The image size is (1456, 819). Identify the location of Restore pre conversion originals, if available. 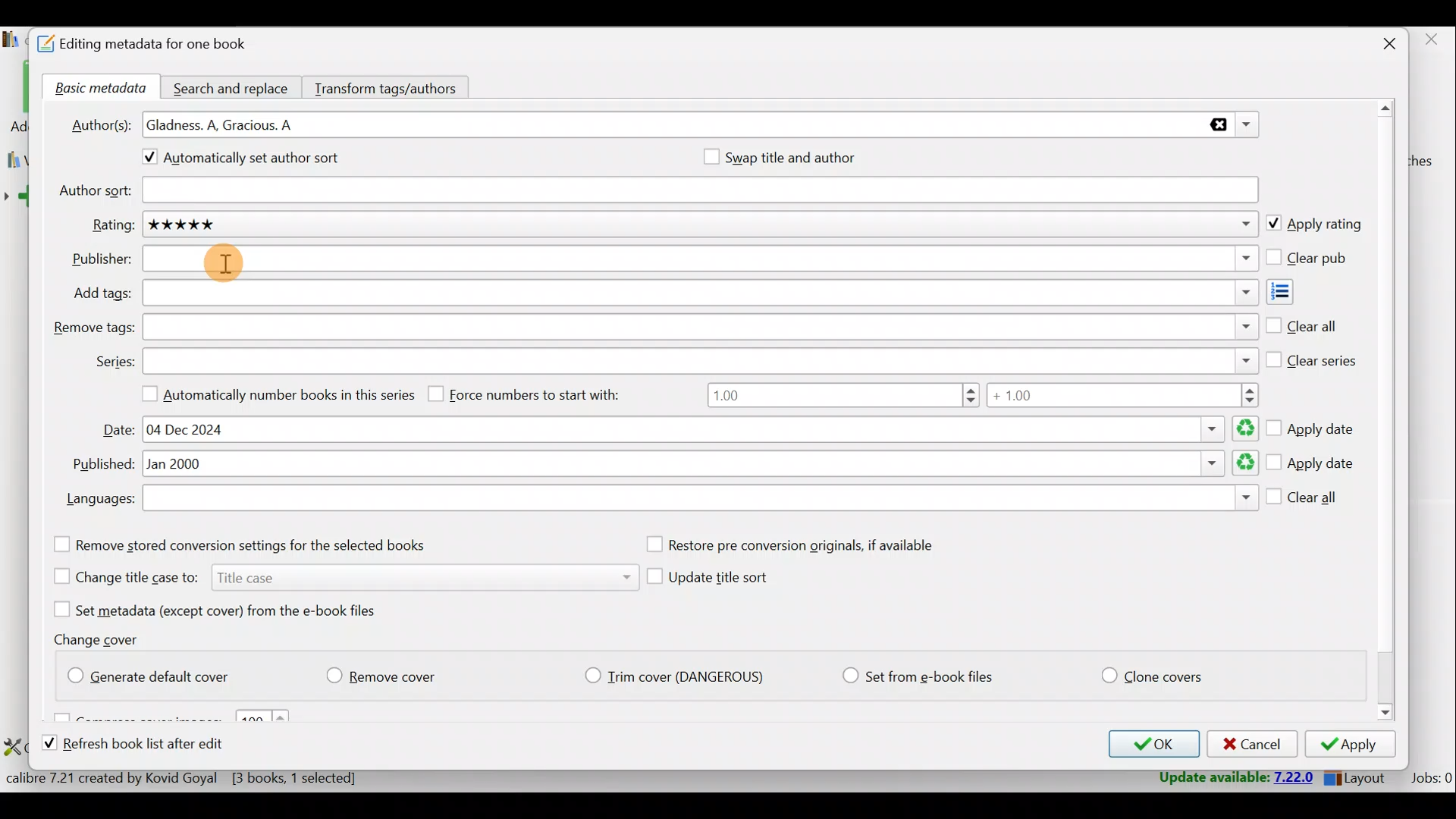
(806, 545).